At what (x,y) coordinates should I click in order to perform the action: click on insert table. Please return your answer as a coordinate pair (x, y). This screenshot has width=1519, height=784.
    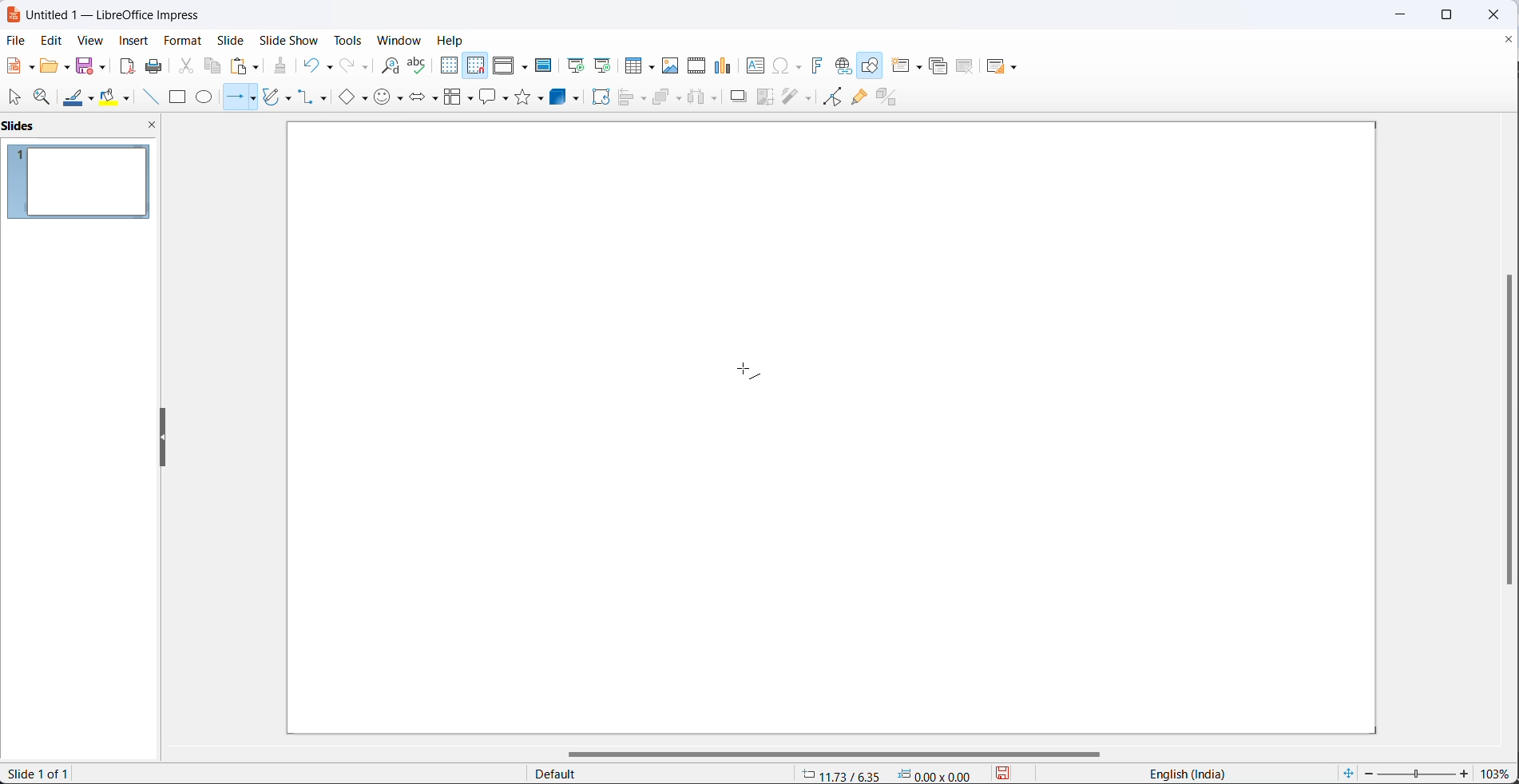
    Looking at the image, I should click on (637, 65).